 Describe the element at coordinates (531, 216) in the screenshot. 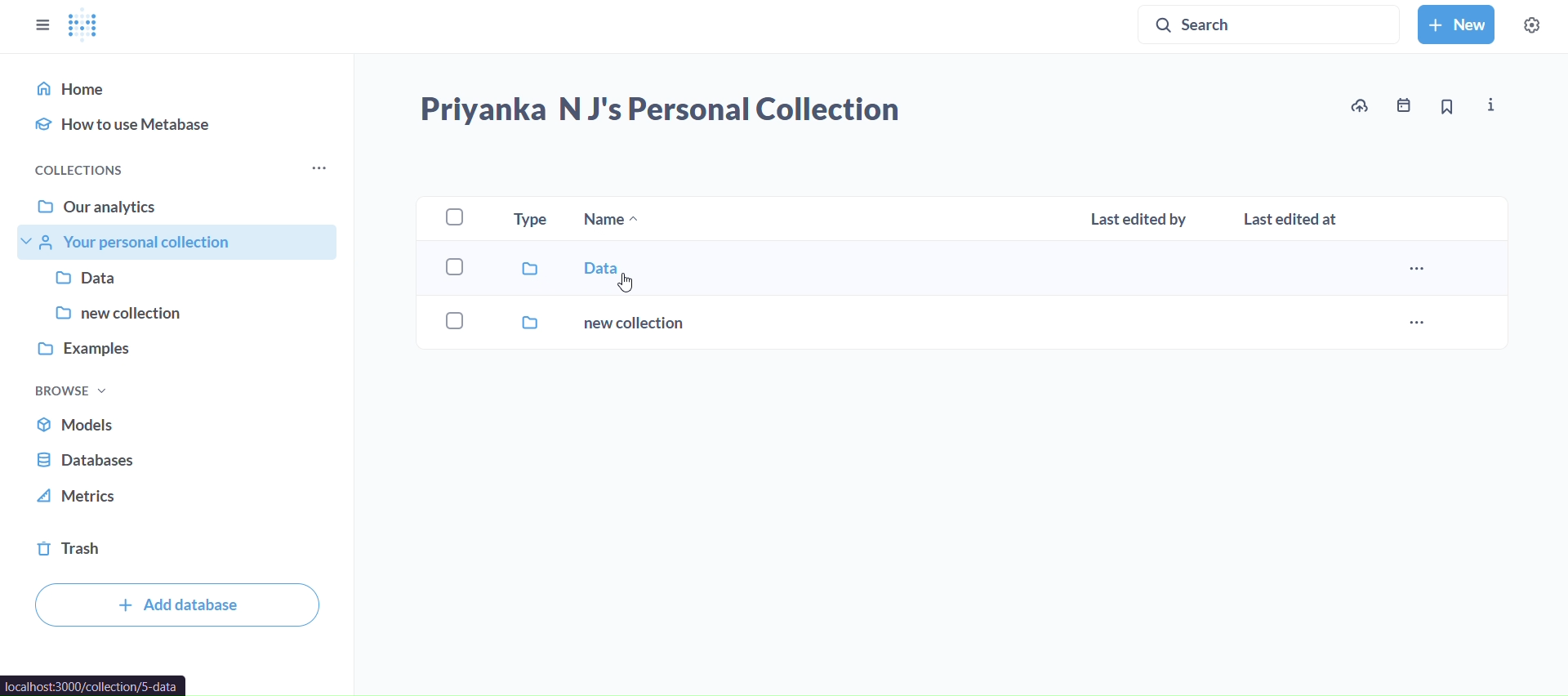

I see `type` at that location.